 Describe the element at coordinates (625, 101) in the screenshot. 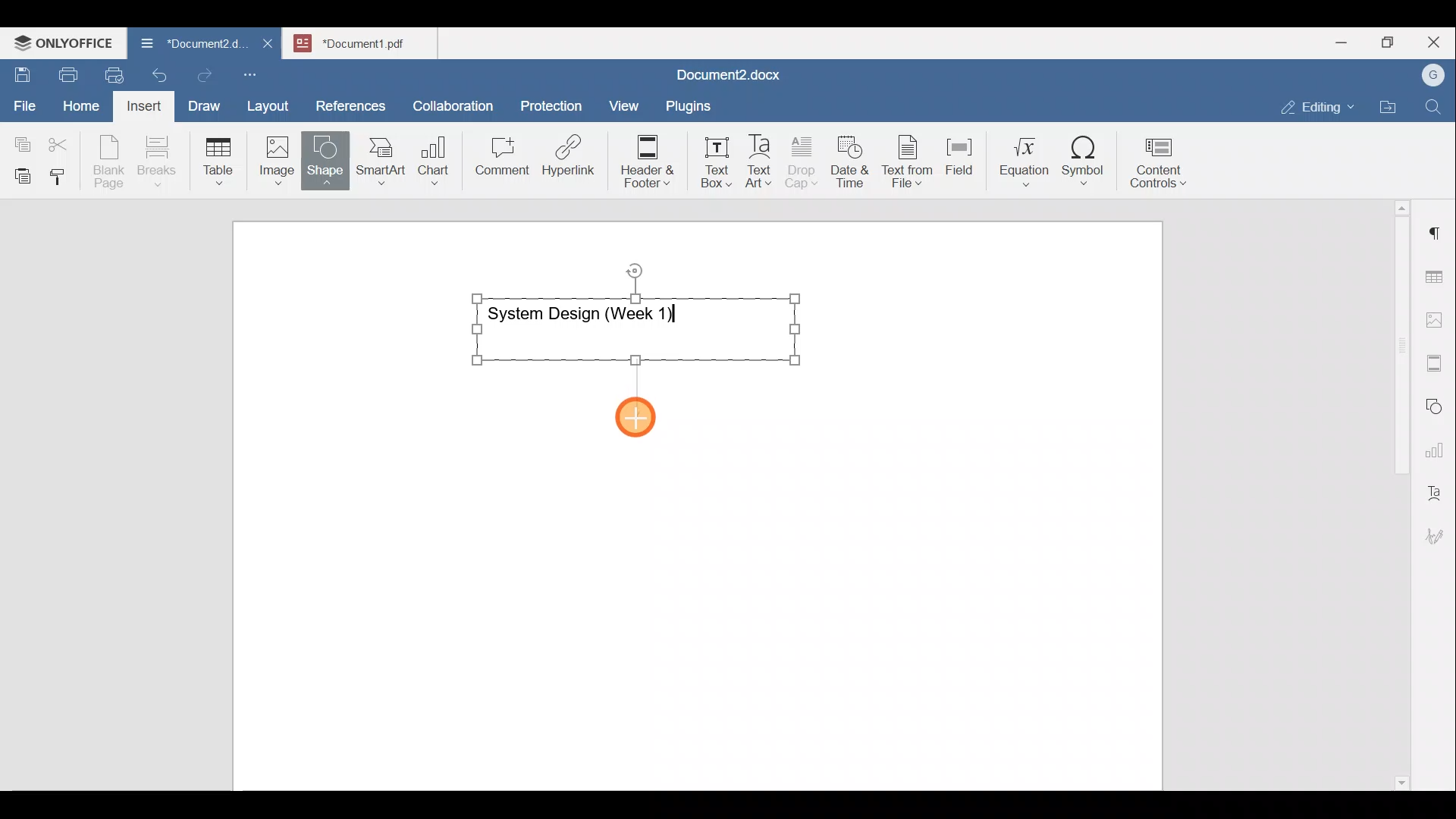

I see `View` at that location.